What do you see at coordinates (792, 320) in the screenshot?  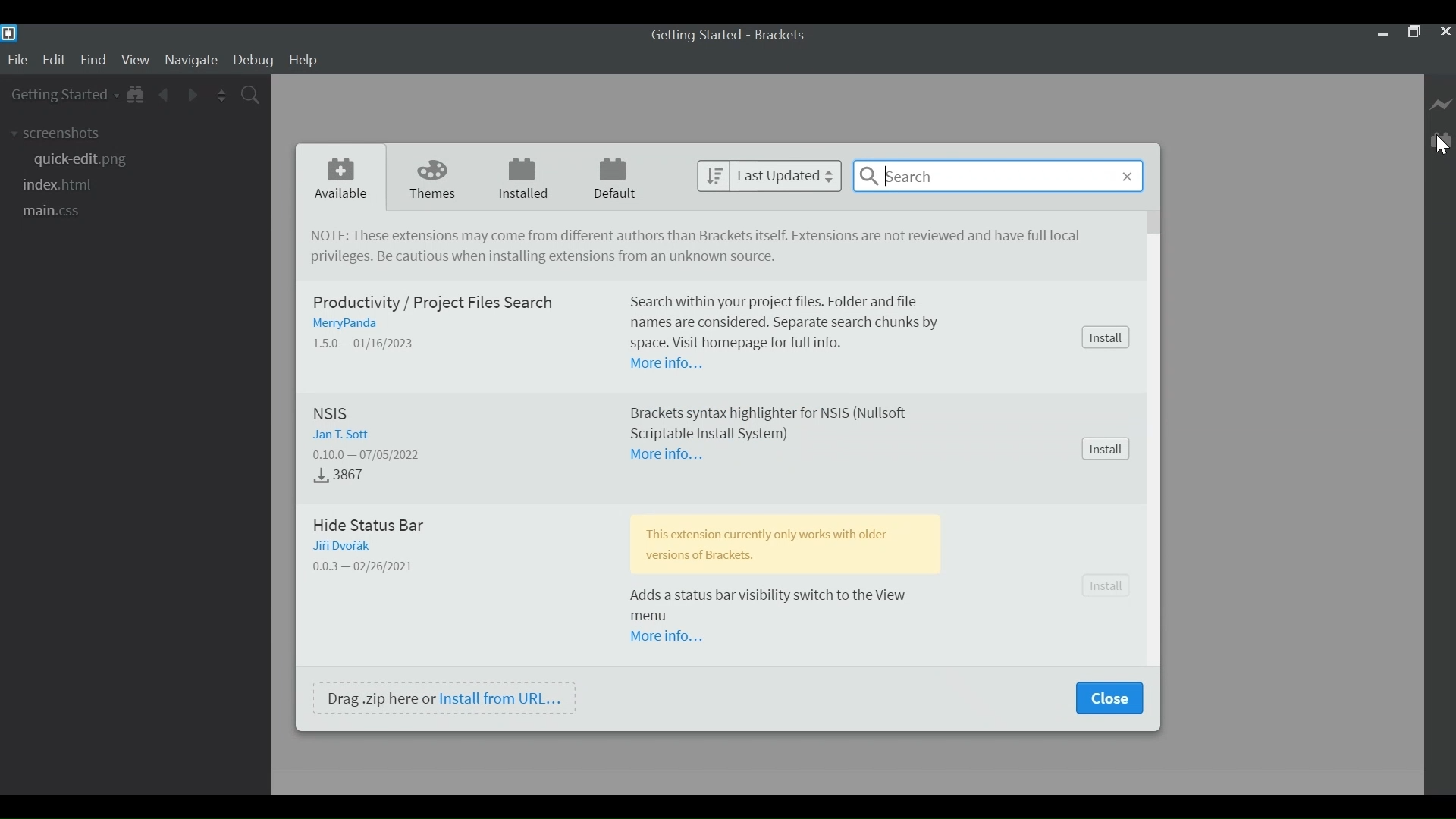 I see `Search within your project files. Folder and file
names are considered. Separate search chunks by
space. Visit homepage for full info.` at bounding box center [792, 320].